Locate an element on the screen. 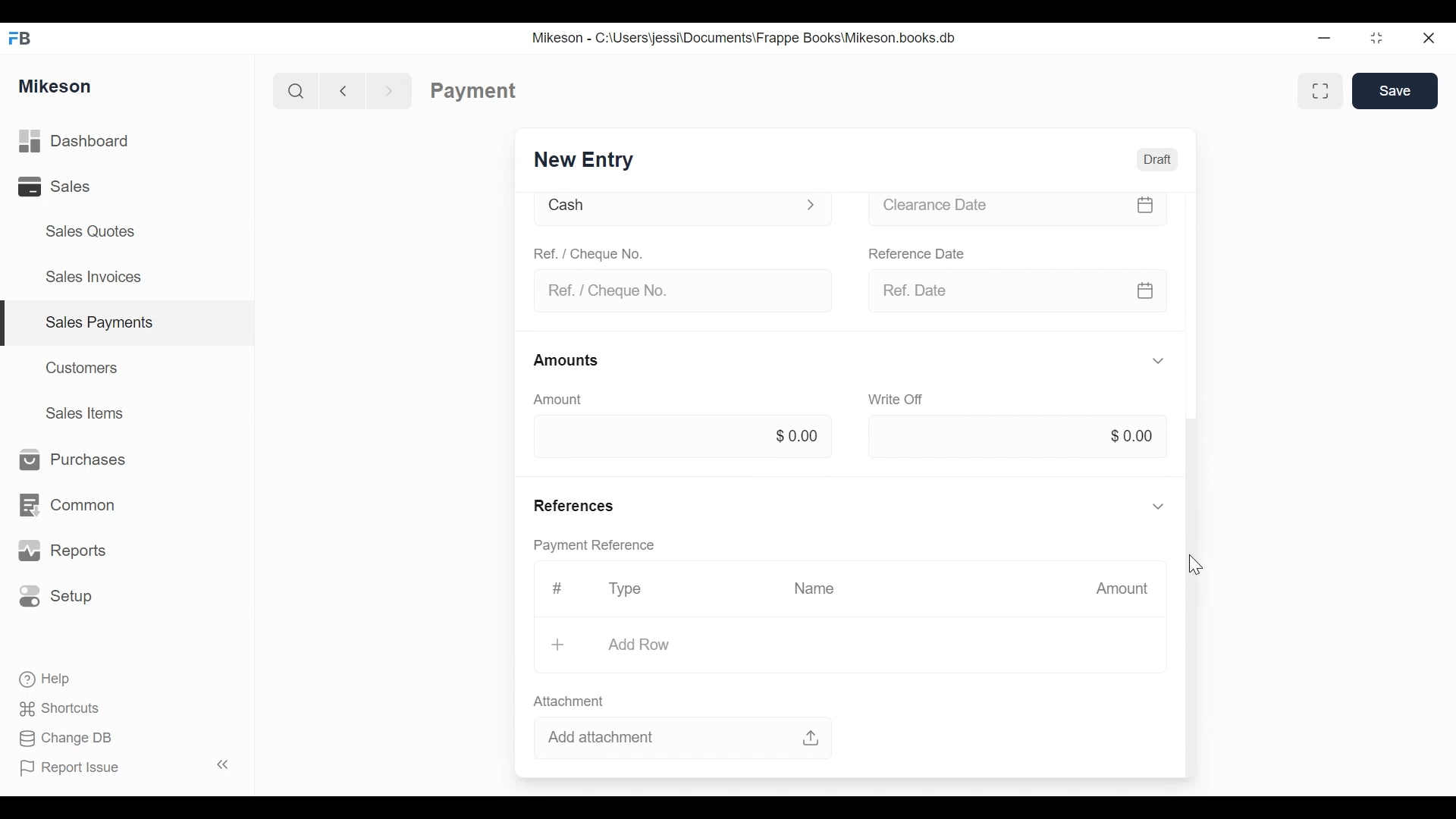 This screenshot has width=1456, height=819. Customers is located at coordinates (86, 366).